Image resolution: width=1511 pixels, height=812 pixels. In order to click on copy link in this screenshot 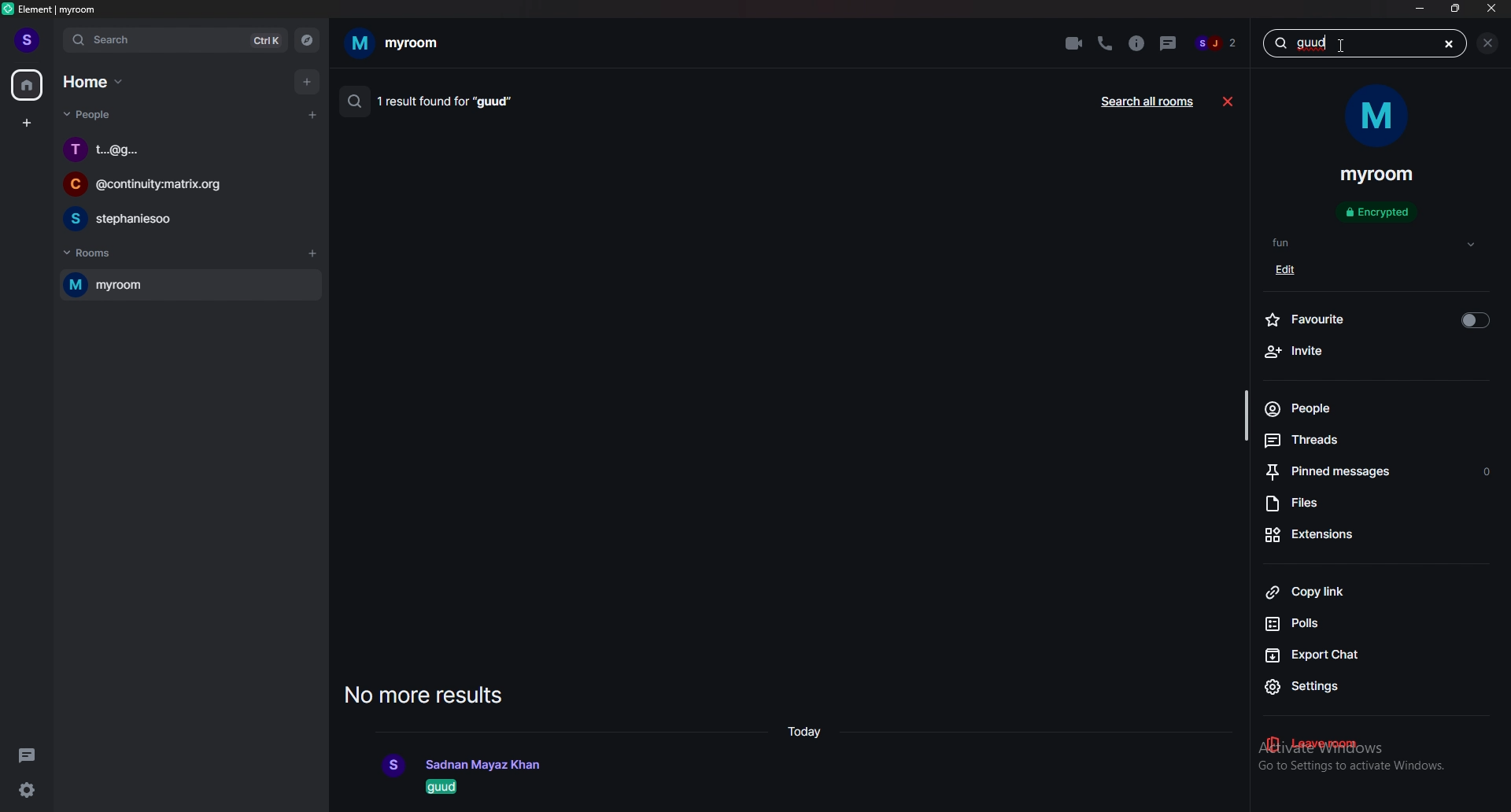, I will do `click(1345, 591)`.